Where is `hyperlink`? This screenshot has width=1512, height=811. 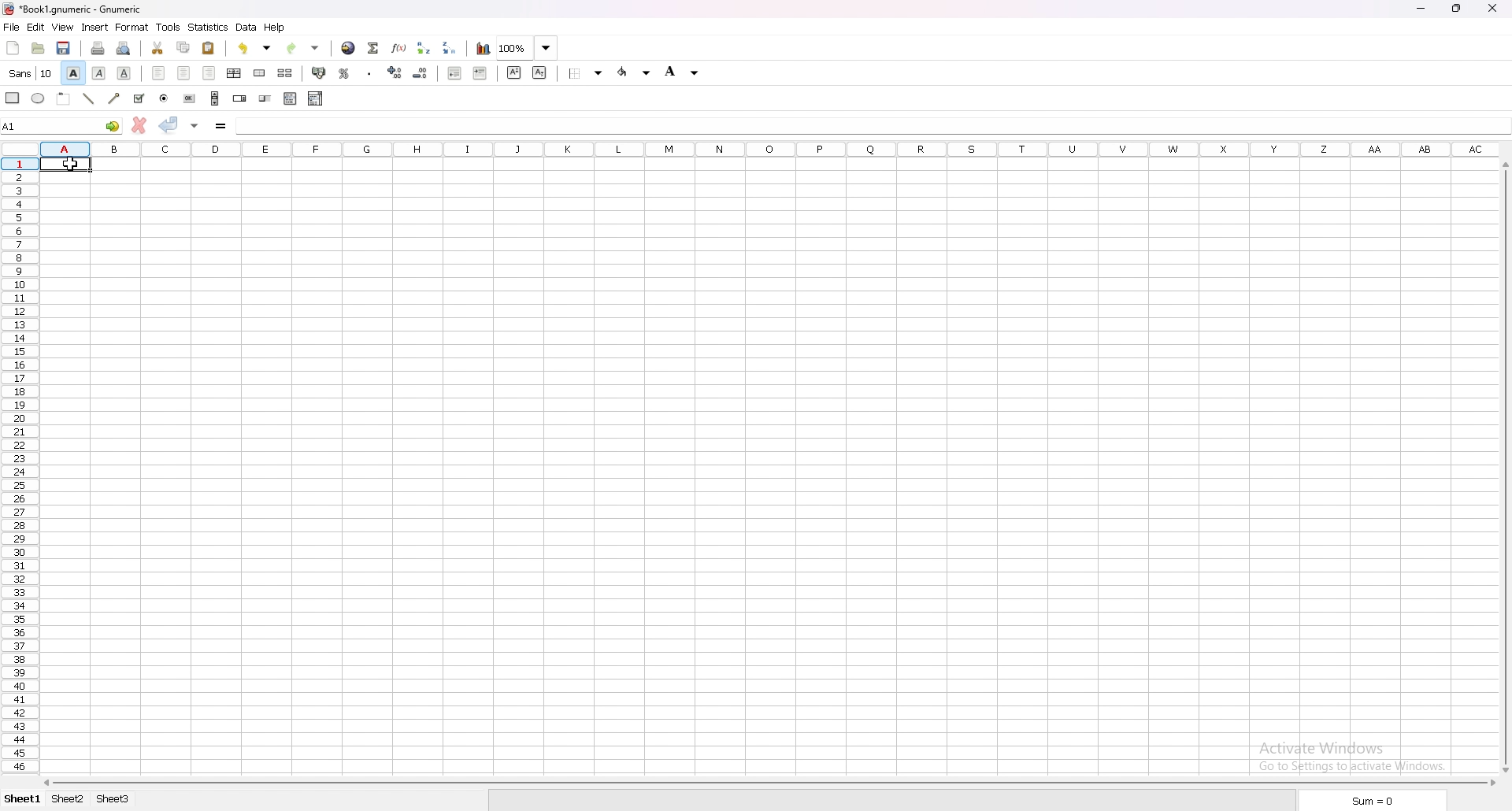
hyperlink is located at coordinates (349, 48).